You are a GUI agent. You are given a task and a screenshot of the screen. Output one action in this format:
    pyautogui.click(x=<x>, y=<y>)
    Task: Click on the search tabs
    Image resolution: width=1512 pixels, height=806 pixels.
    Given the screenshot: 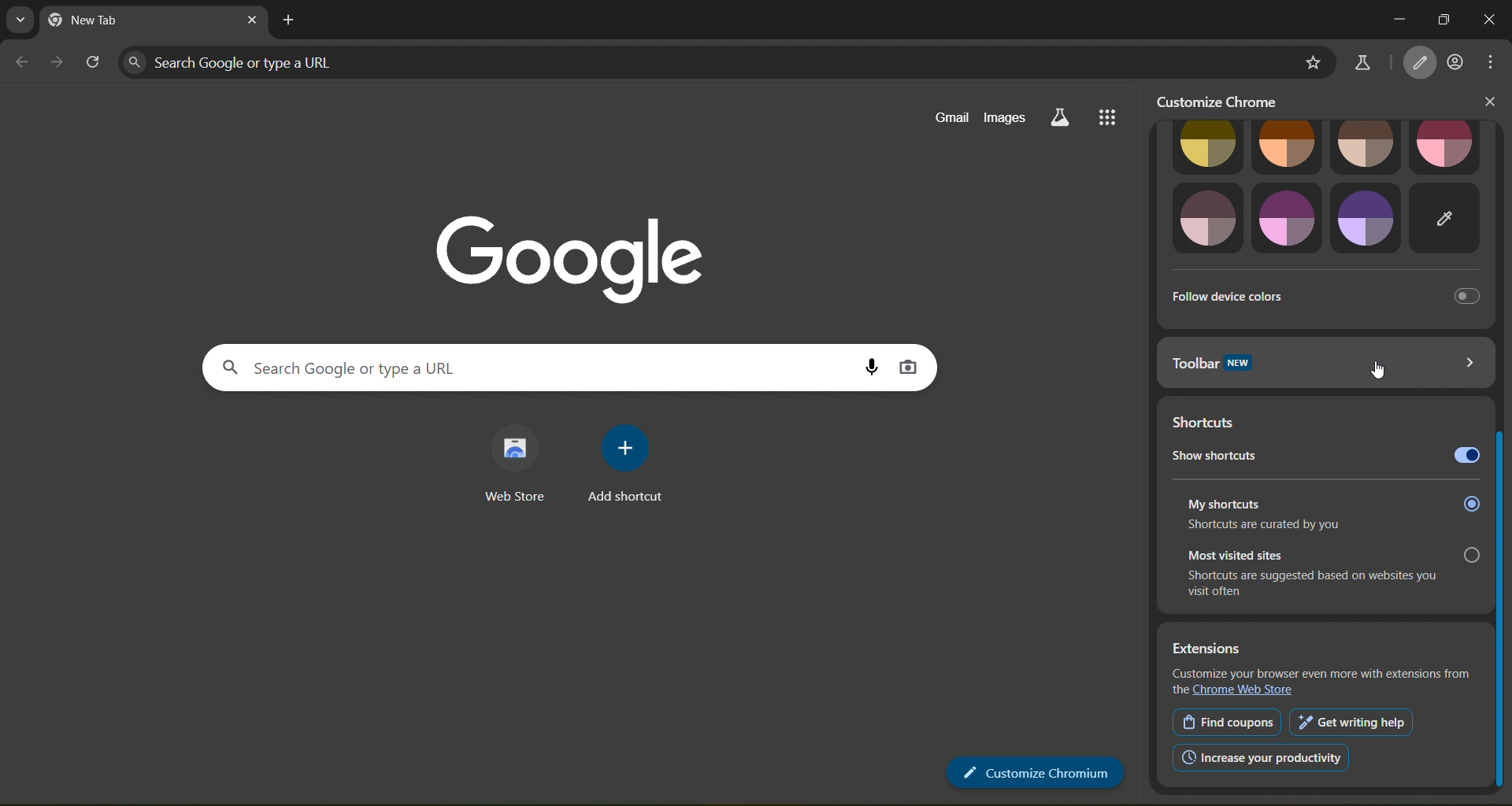 What is the action you would take?
    pyautogui.click(x=20, y=19)
    